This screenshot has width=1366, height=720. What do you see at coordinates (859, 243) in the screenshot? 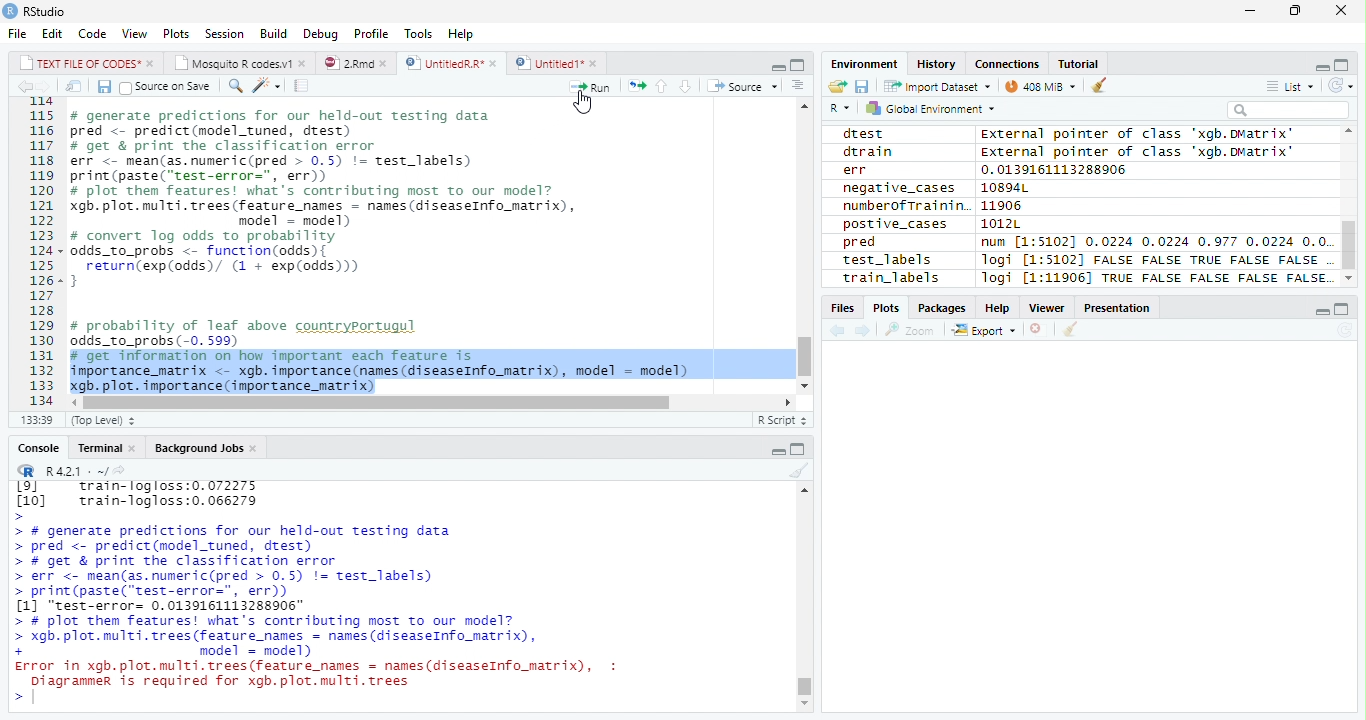
I see `pred` at bounding box center [859, 243].